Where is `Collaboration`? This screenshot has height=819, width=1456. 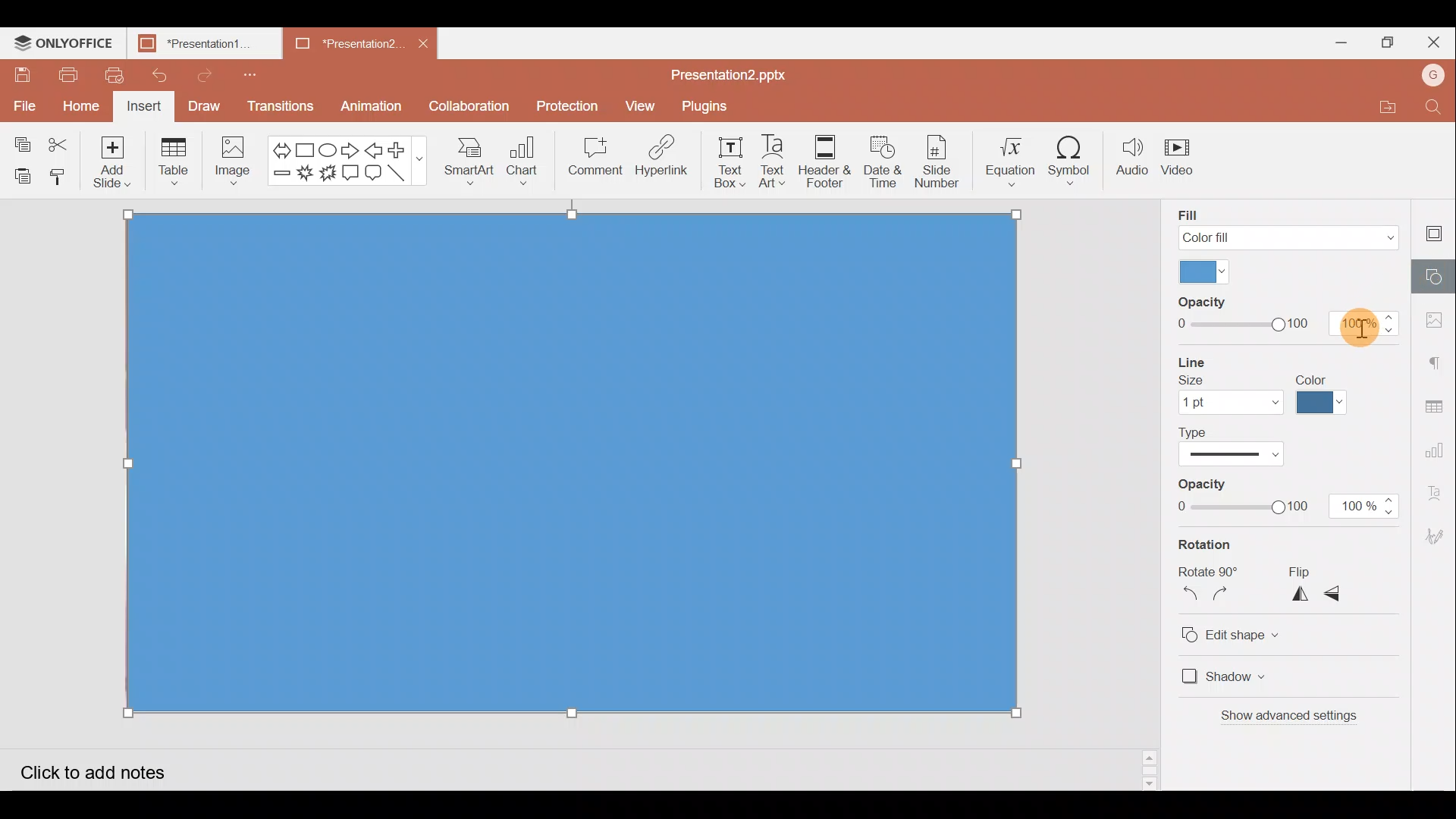
Collaboration is located at coordinates (470, 106).